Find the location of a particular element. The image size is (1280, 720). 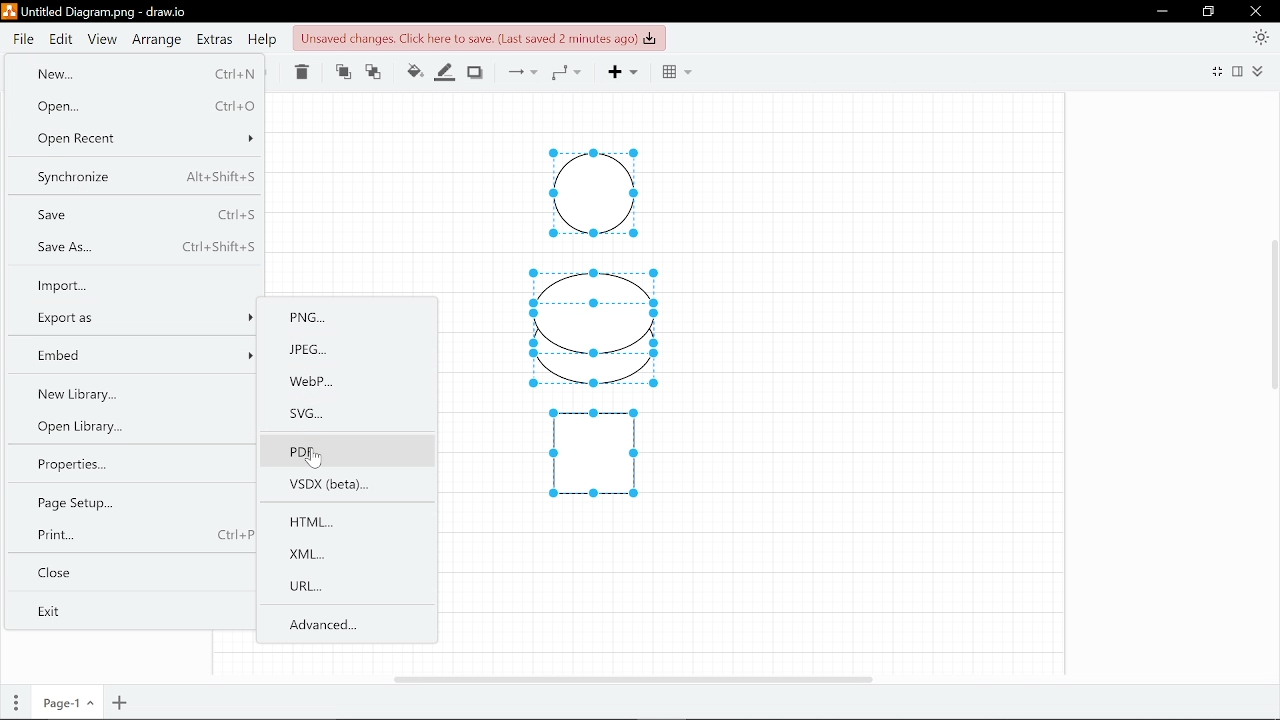

Save is located at coordinates (143, 215).